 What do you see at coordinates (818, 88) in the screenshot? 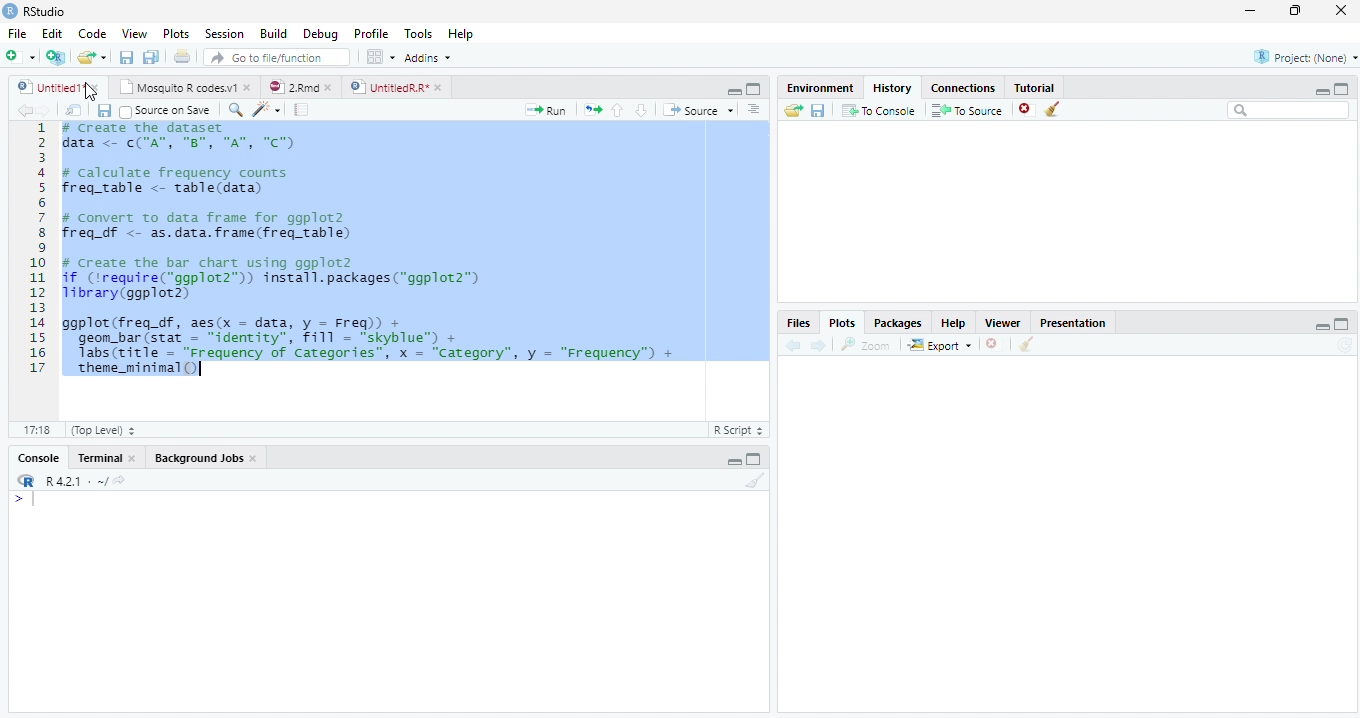
I see `Environment` at bounding box center [818, 88].